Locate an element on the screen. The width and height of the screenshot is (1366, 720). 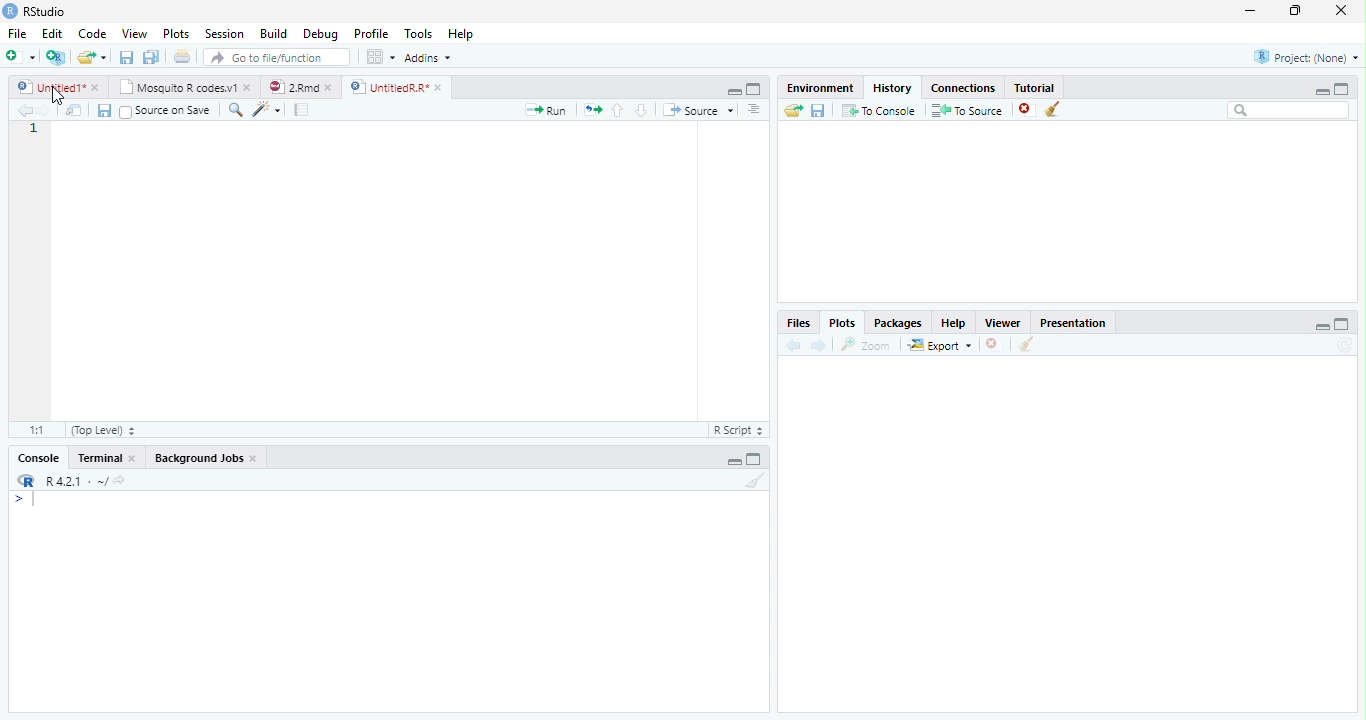
close is located at coordinates (248, 87).